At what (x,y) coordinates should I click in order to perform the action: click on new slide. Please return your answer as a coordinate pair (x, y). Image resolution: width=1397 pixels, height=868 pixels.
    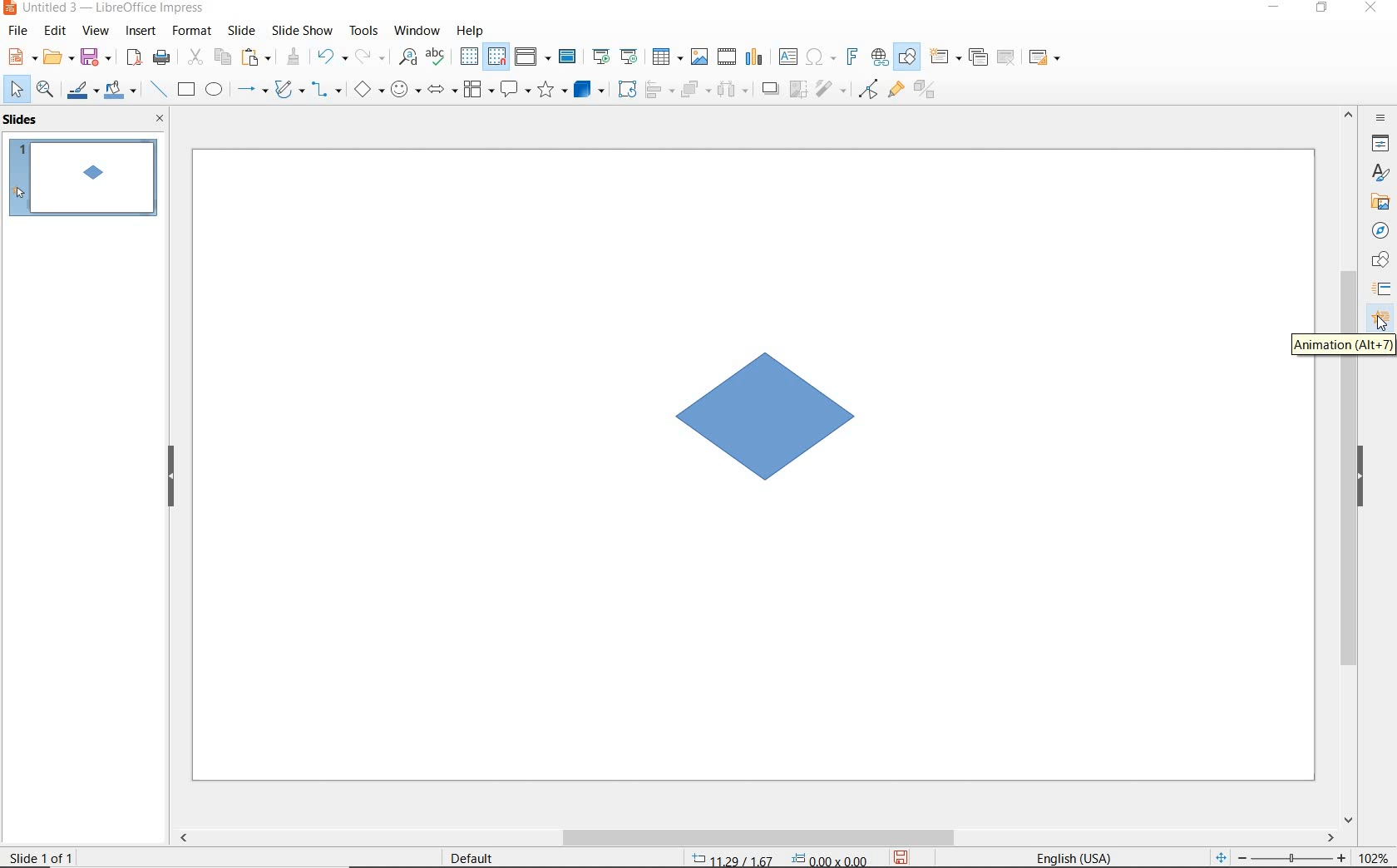
    Looking at the image, I should click on (944, 57).